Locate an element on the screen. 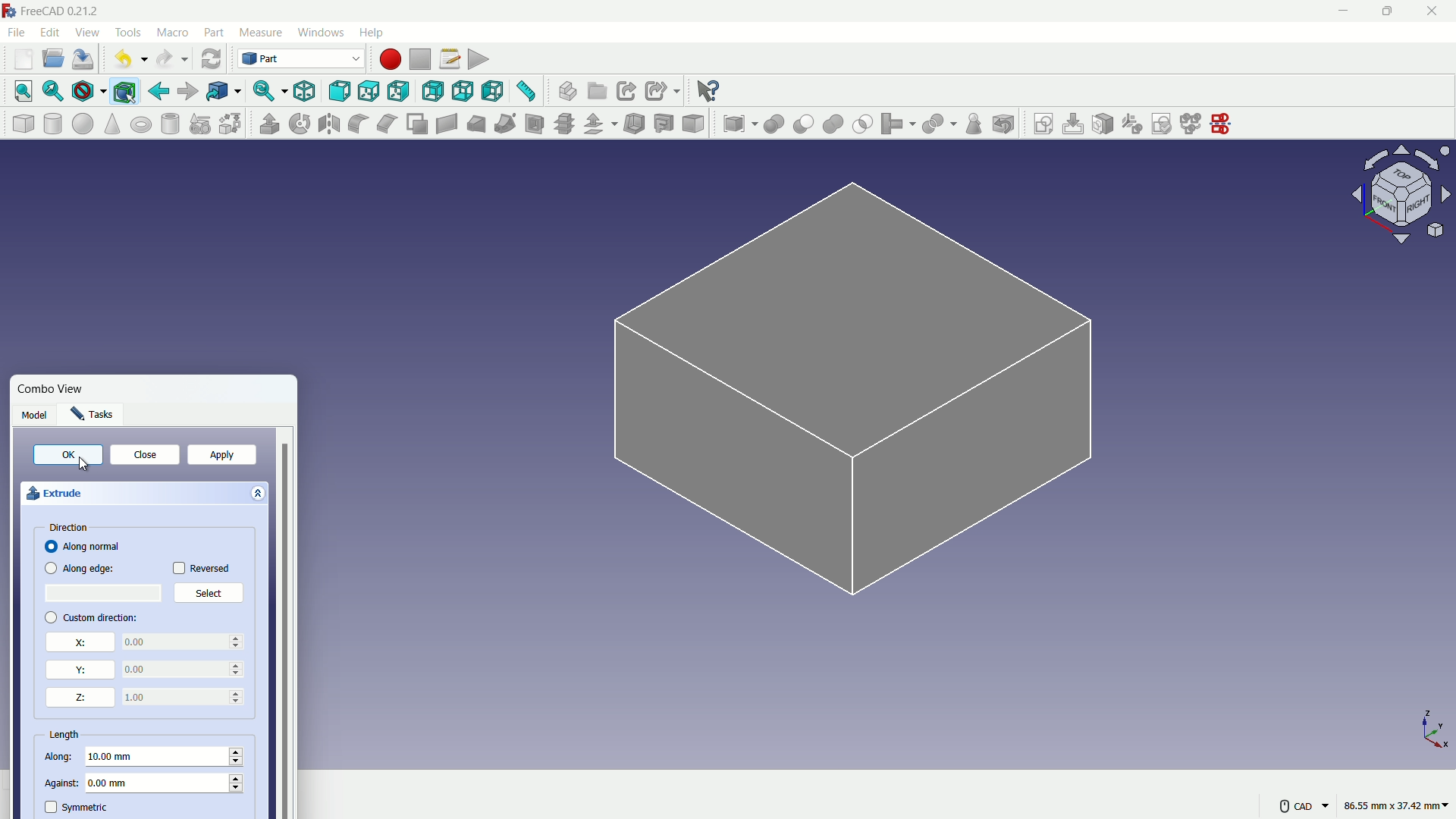 This screenshot has width=1456, height=819. 0.00 is located at coordinates (185, 668).